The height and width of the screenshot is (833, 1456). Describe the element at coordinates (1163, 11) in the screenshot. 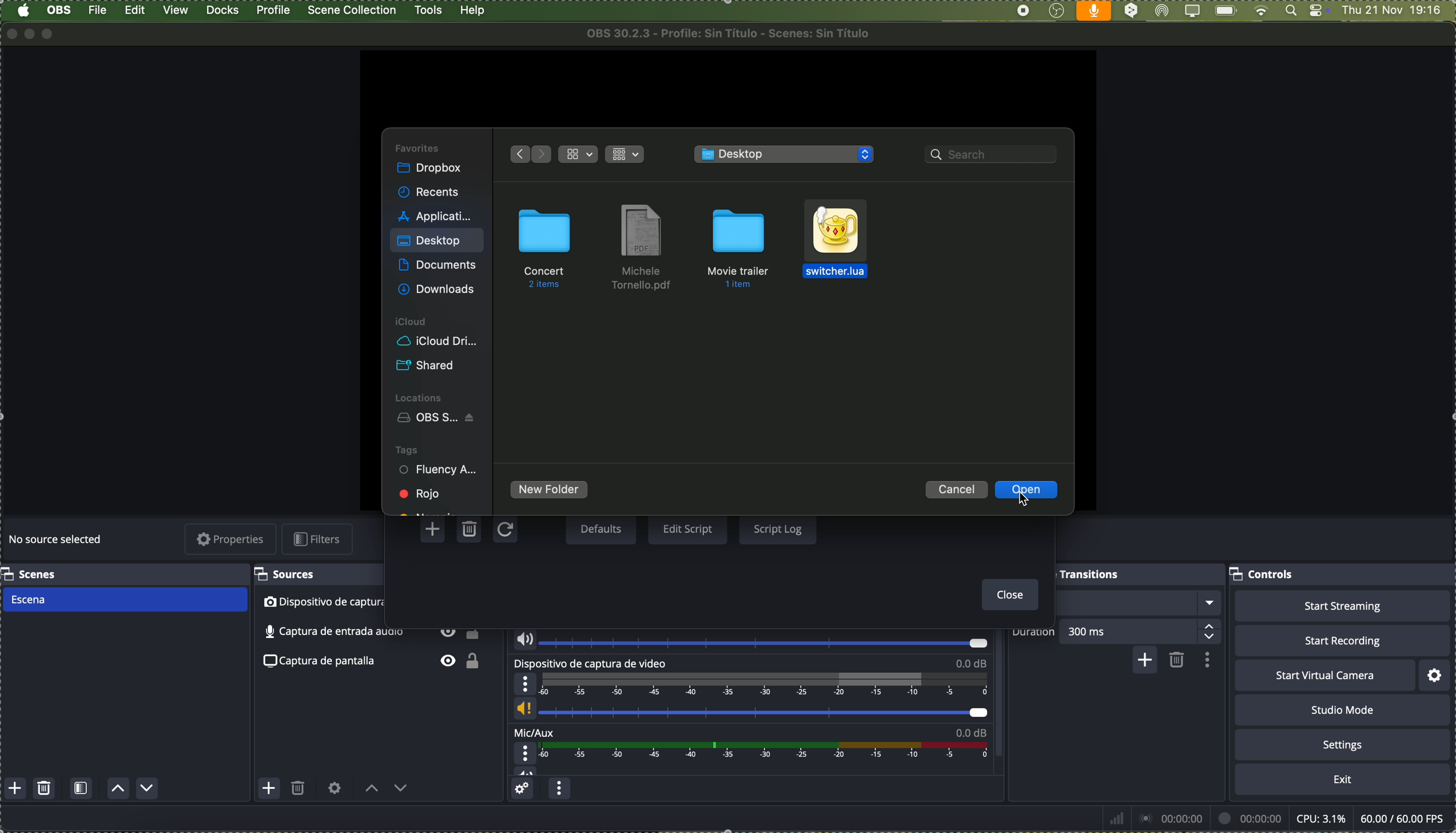

I see `AirDrop` at that location.